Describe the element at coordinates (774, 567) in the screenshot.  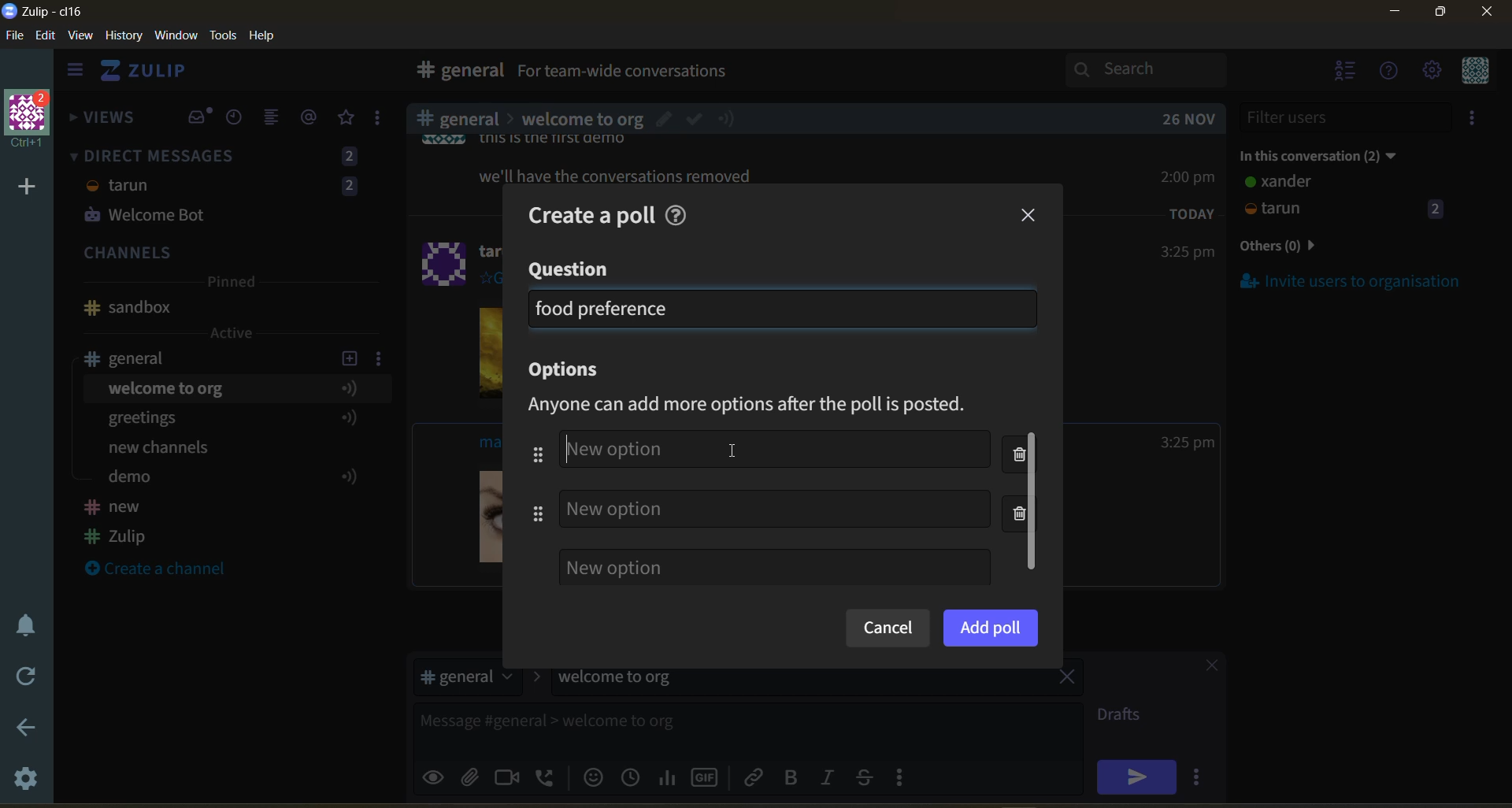
I see `new option` at that location.